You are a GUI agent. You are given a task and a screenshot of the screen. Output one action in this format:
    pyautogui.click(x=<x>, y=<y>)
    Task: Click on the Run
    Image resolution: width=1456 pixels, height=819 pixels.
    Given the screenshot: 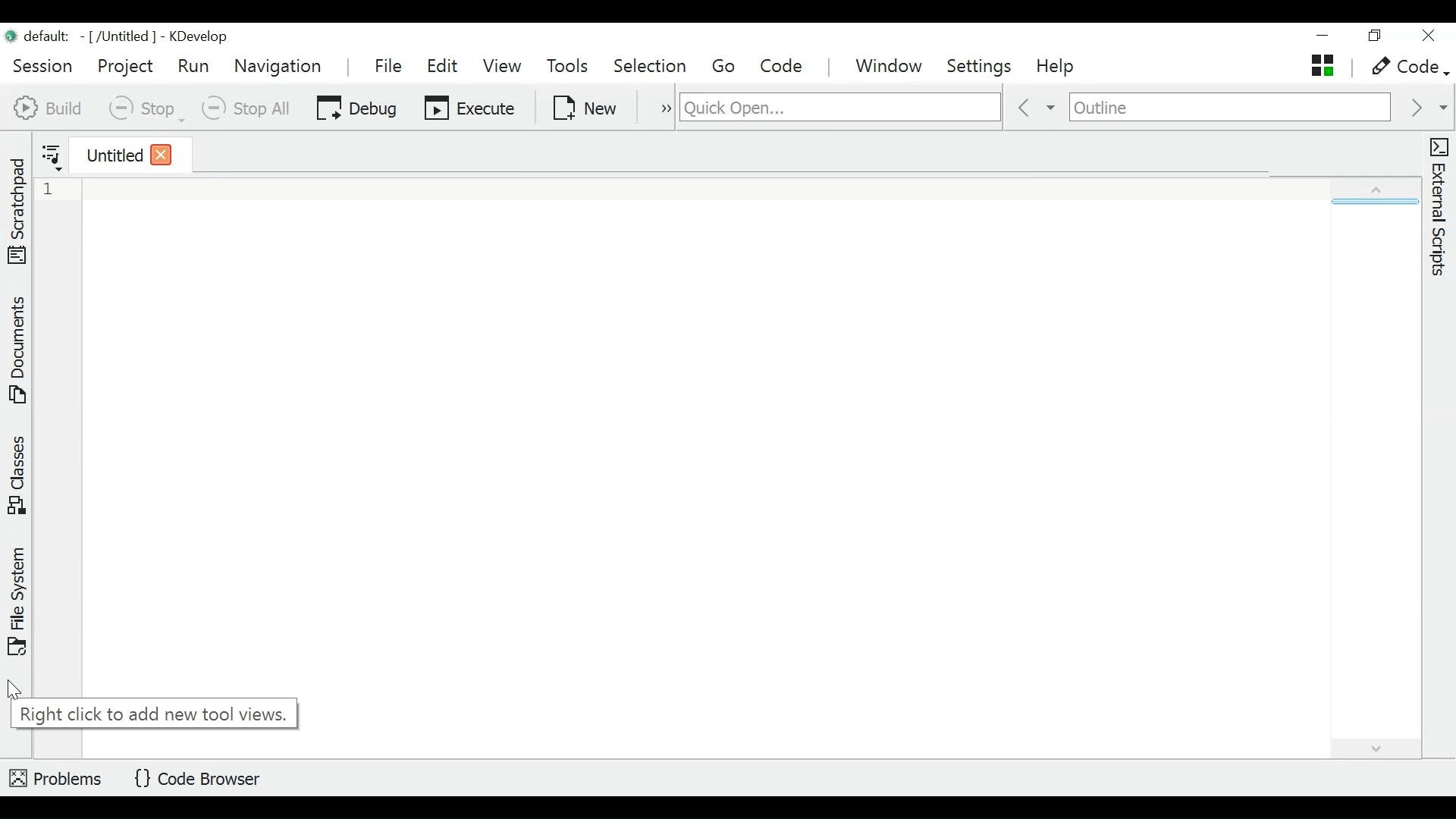 What is the action you would take?
    pyautogui.click(x=195, y=66)
    